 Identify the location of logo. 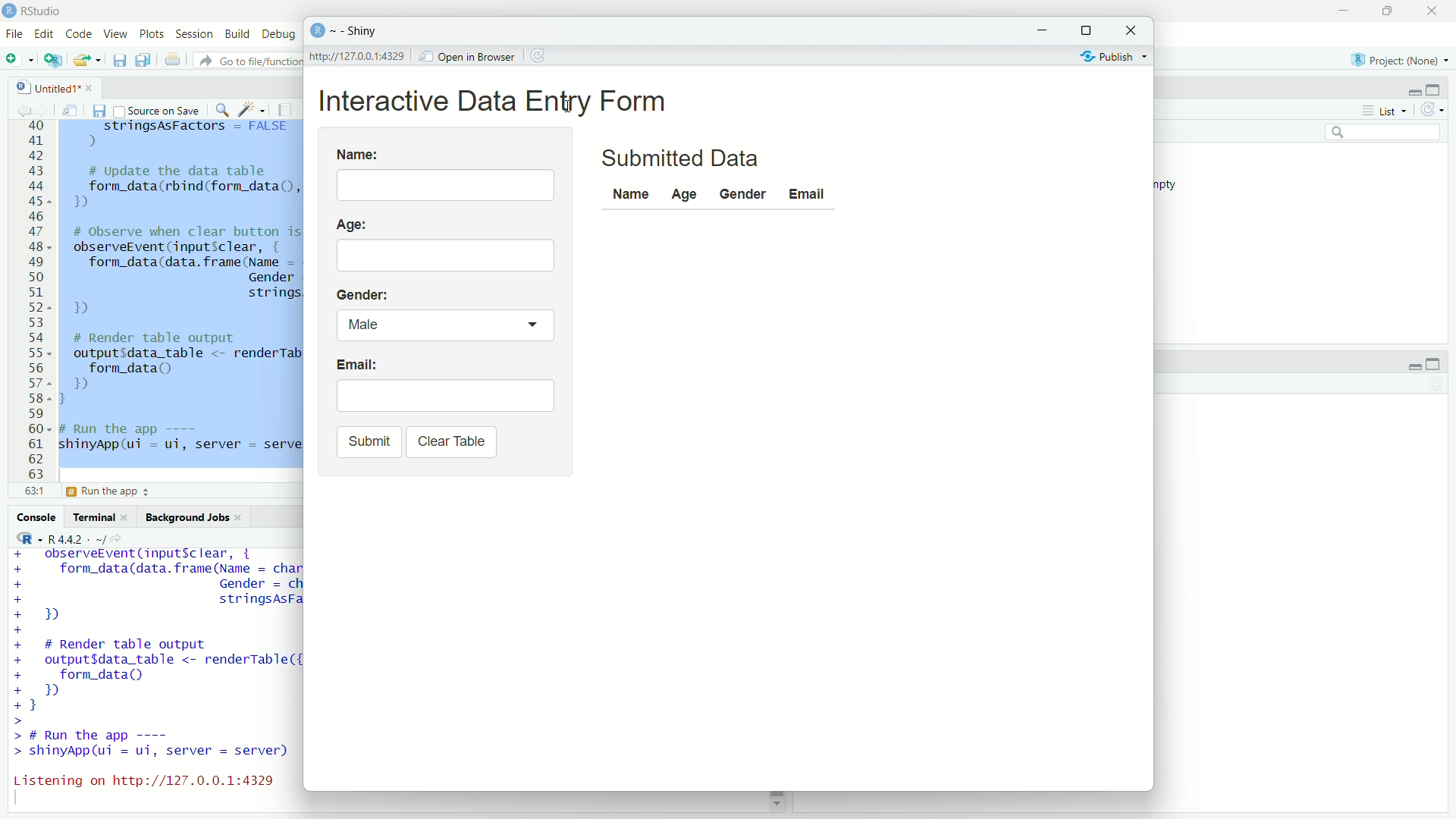
(316, 31).